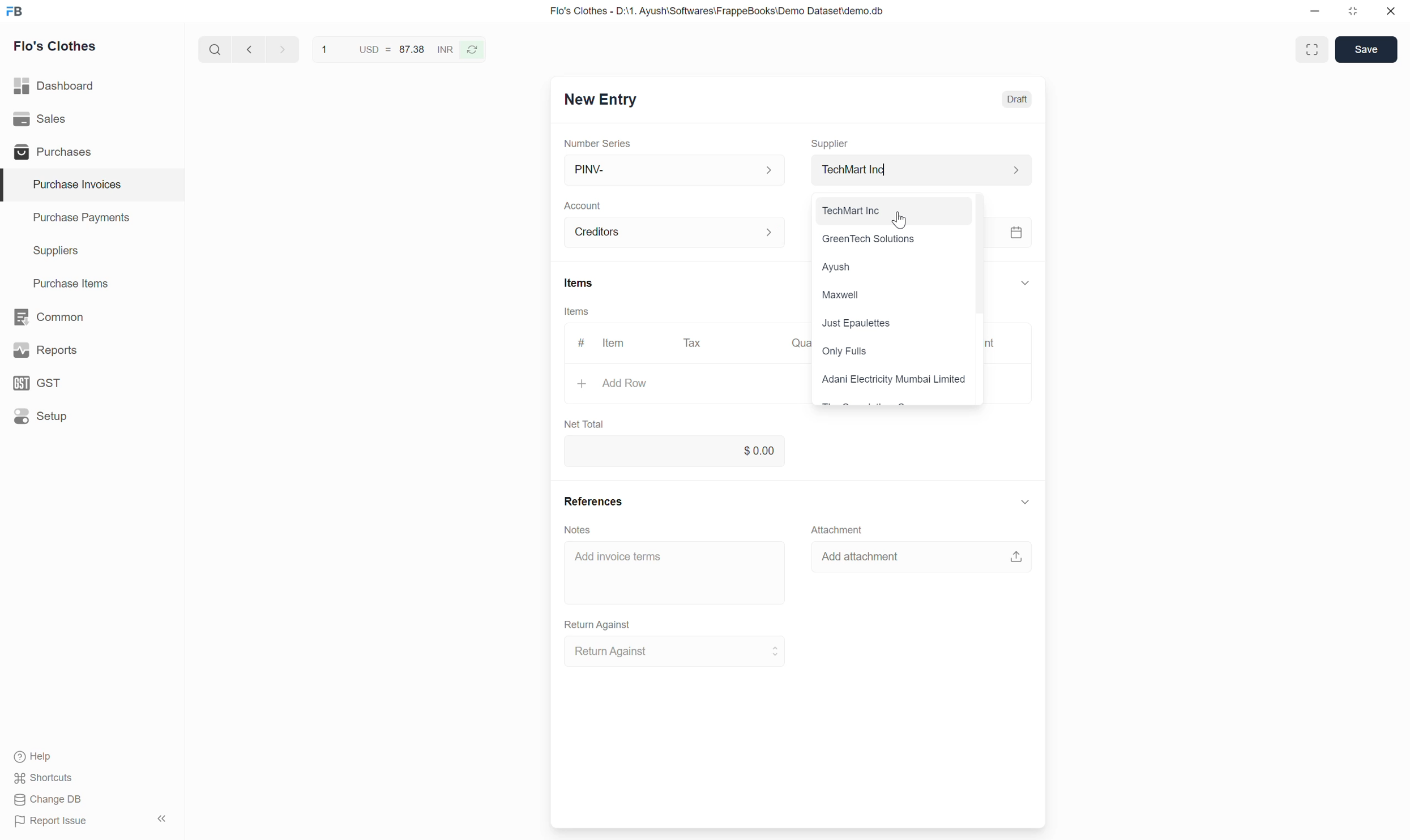 The image size is (1410, 840). I want to click on Return Against, so click(678, 652).